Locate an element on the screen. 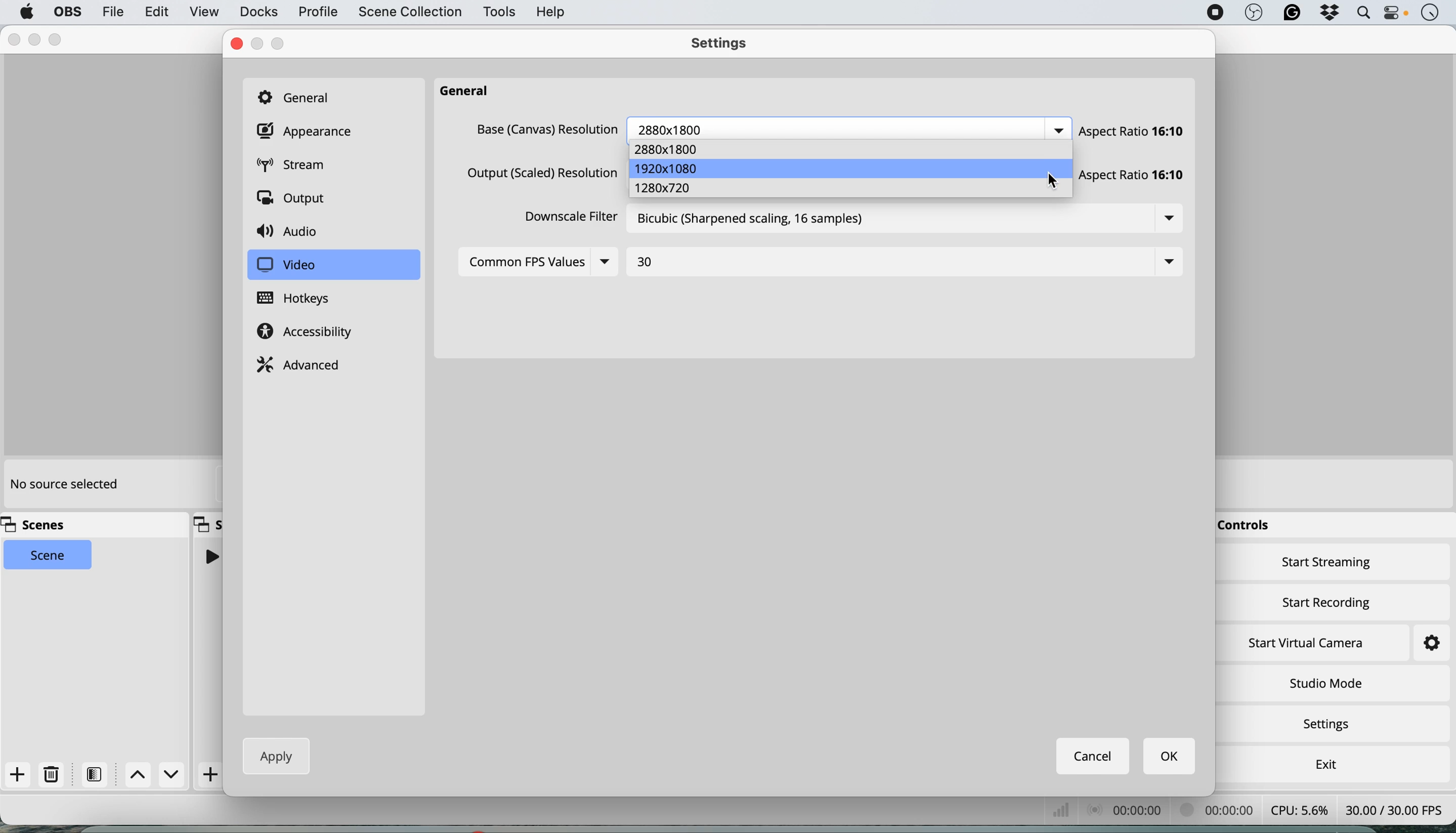  cpu usage is located at coordinates (1129, 809).